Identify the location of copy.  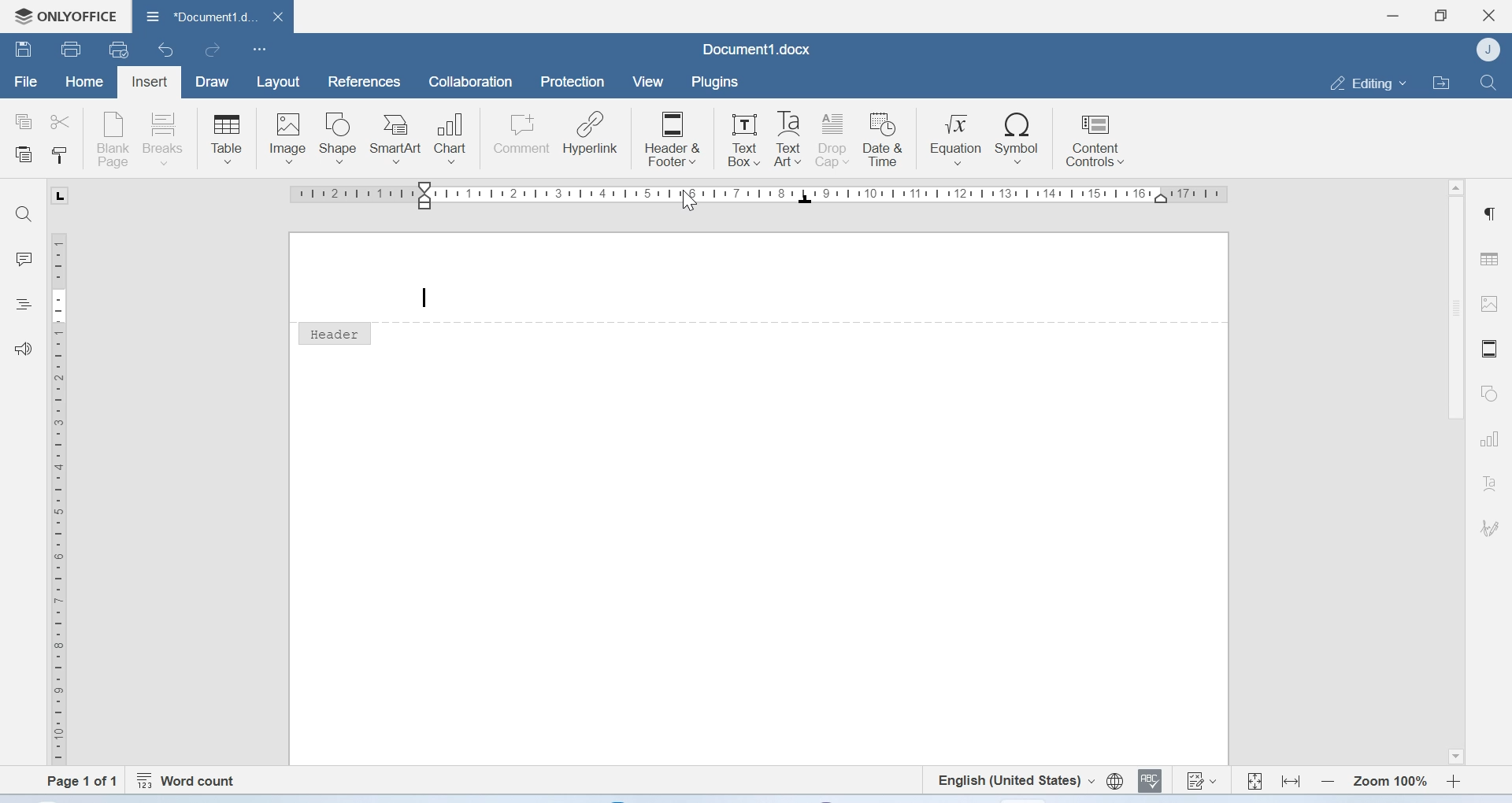
(26, 122).